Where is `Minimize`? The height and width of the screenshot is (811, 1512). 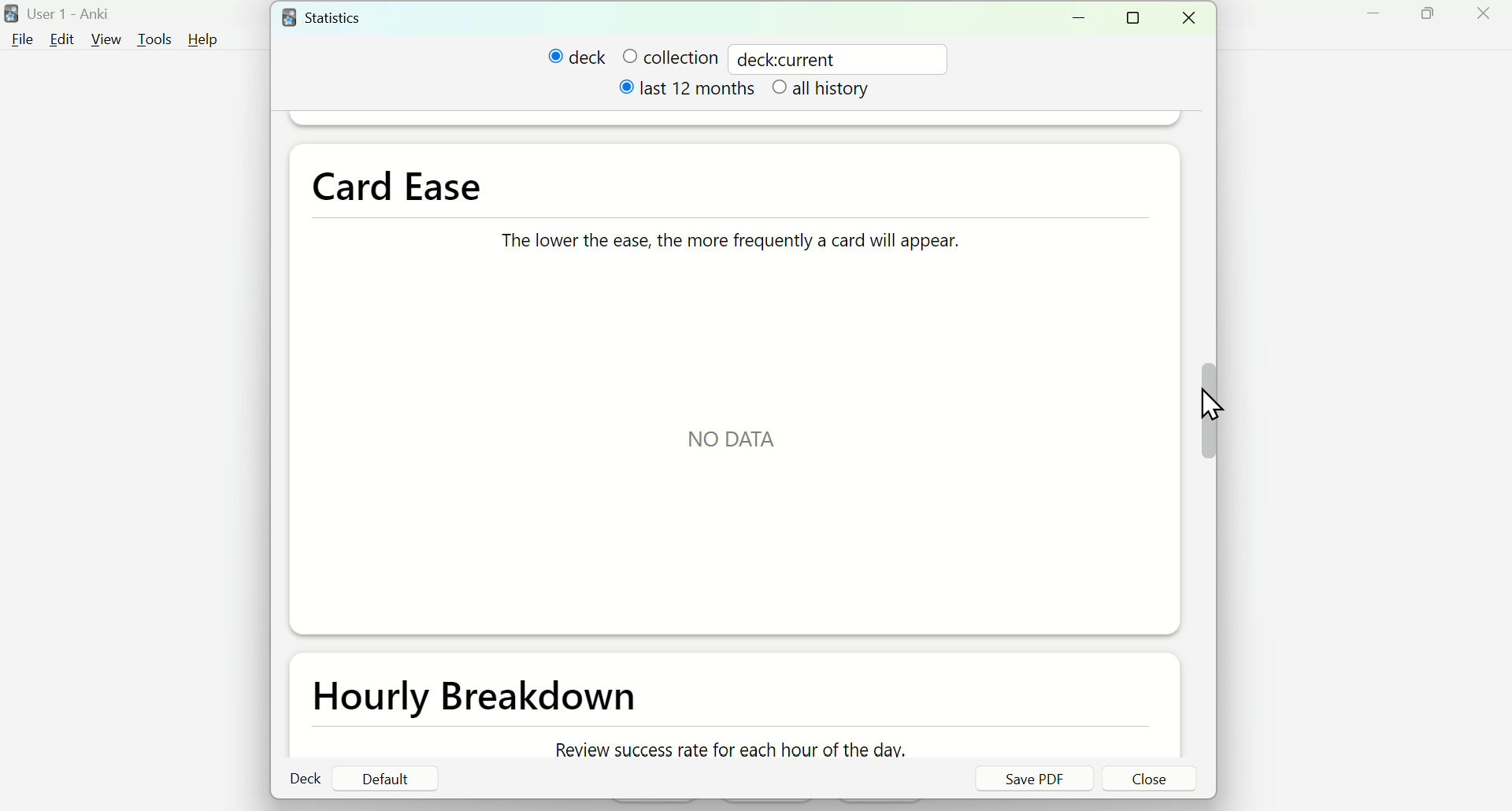 Minimize is located at coordinates (1370, 20).